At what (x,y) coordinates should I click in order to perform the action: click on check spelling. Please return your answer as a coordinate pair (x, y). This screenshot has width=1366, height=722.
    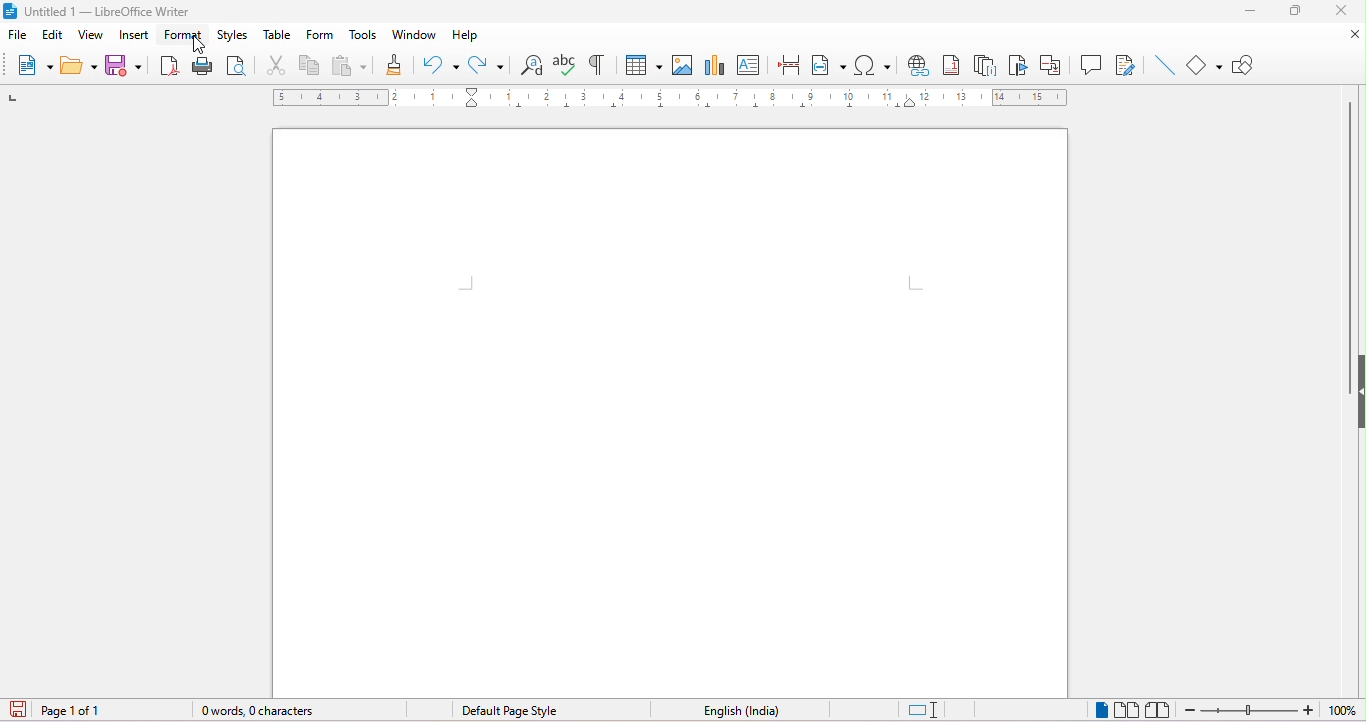
    Looking at the image, I should click on (561, 62).